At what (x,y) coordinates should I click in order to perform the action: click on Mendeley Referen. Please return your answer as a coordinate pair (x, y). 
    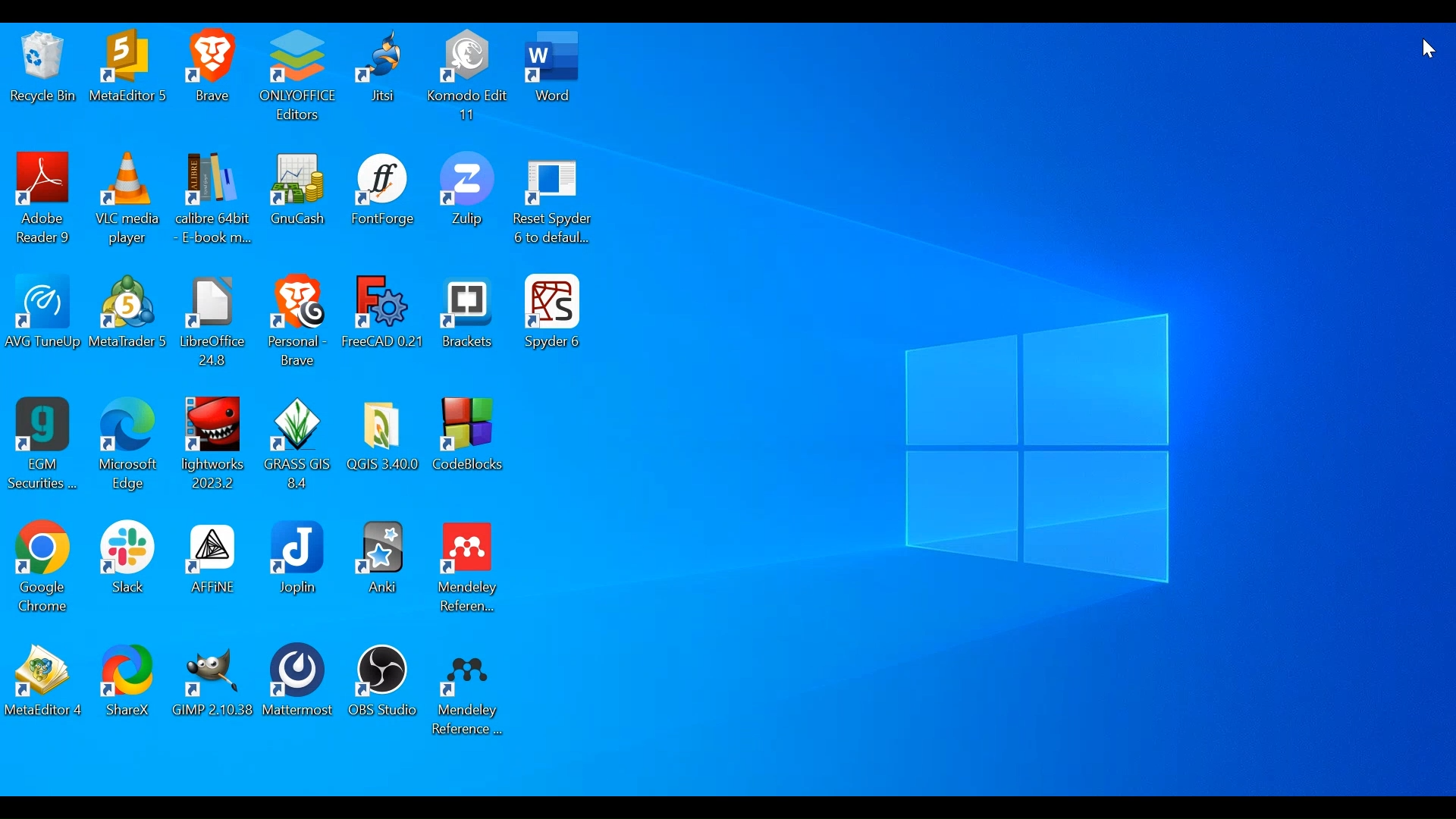
    Looking at the image, I should click on (469, 572).